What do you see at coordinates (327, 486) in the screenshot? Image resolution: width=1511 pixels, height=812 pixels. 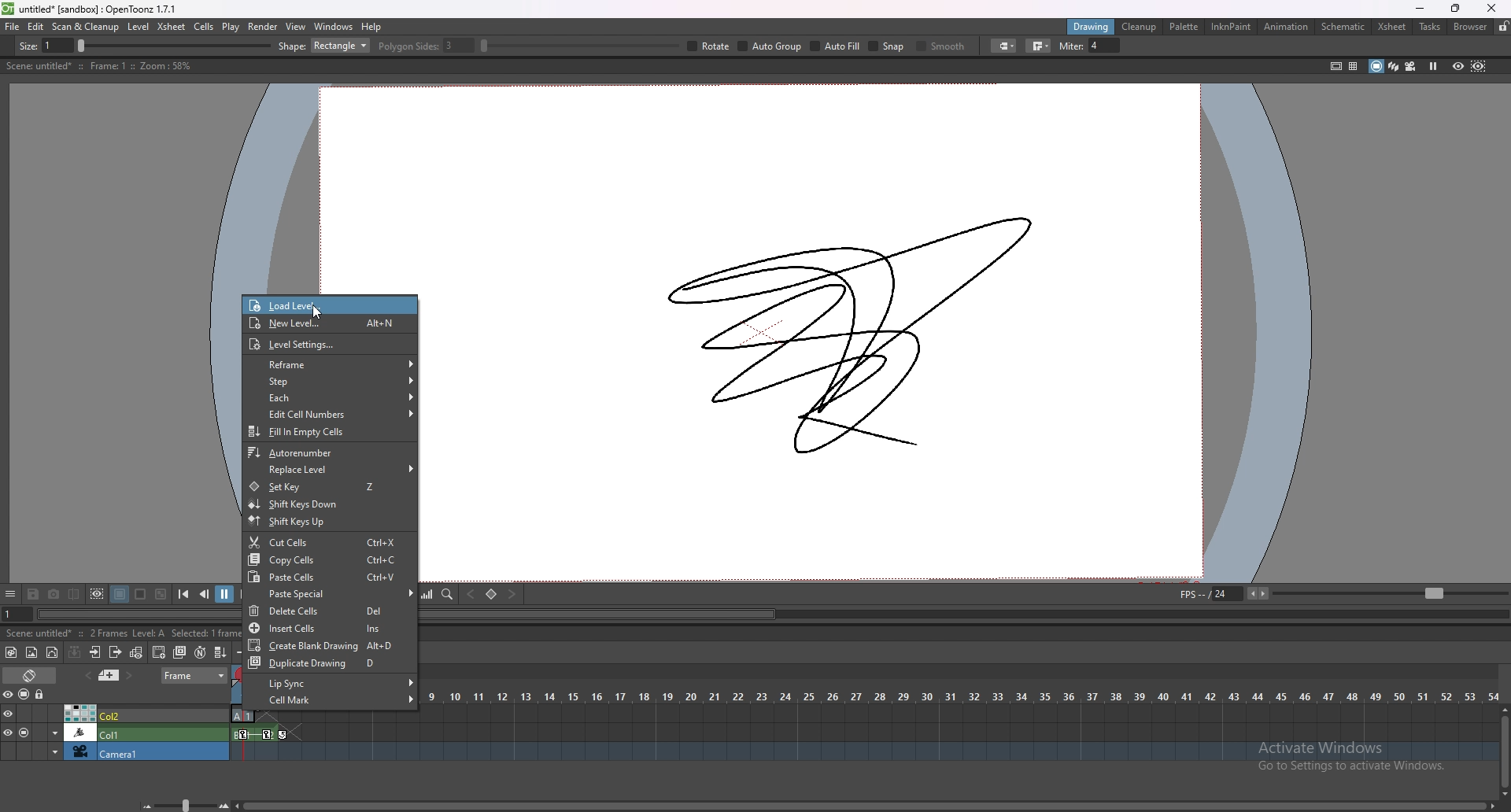 I see `set key` at bounding box center [327, 486].